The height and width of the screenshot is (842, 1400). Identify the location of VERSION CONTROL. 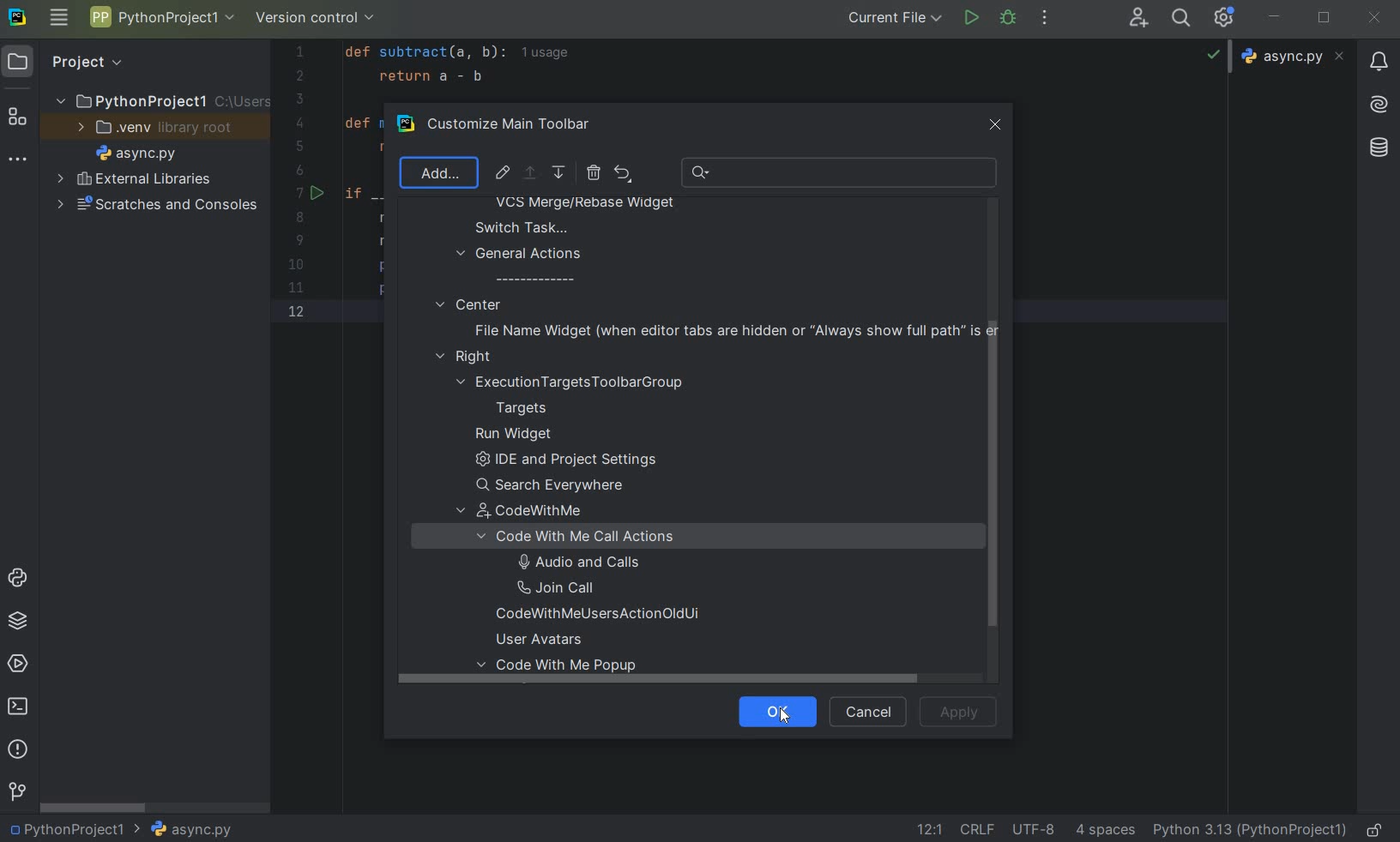
(316, 21).